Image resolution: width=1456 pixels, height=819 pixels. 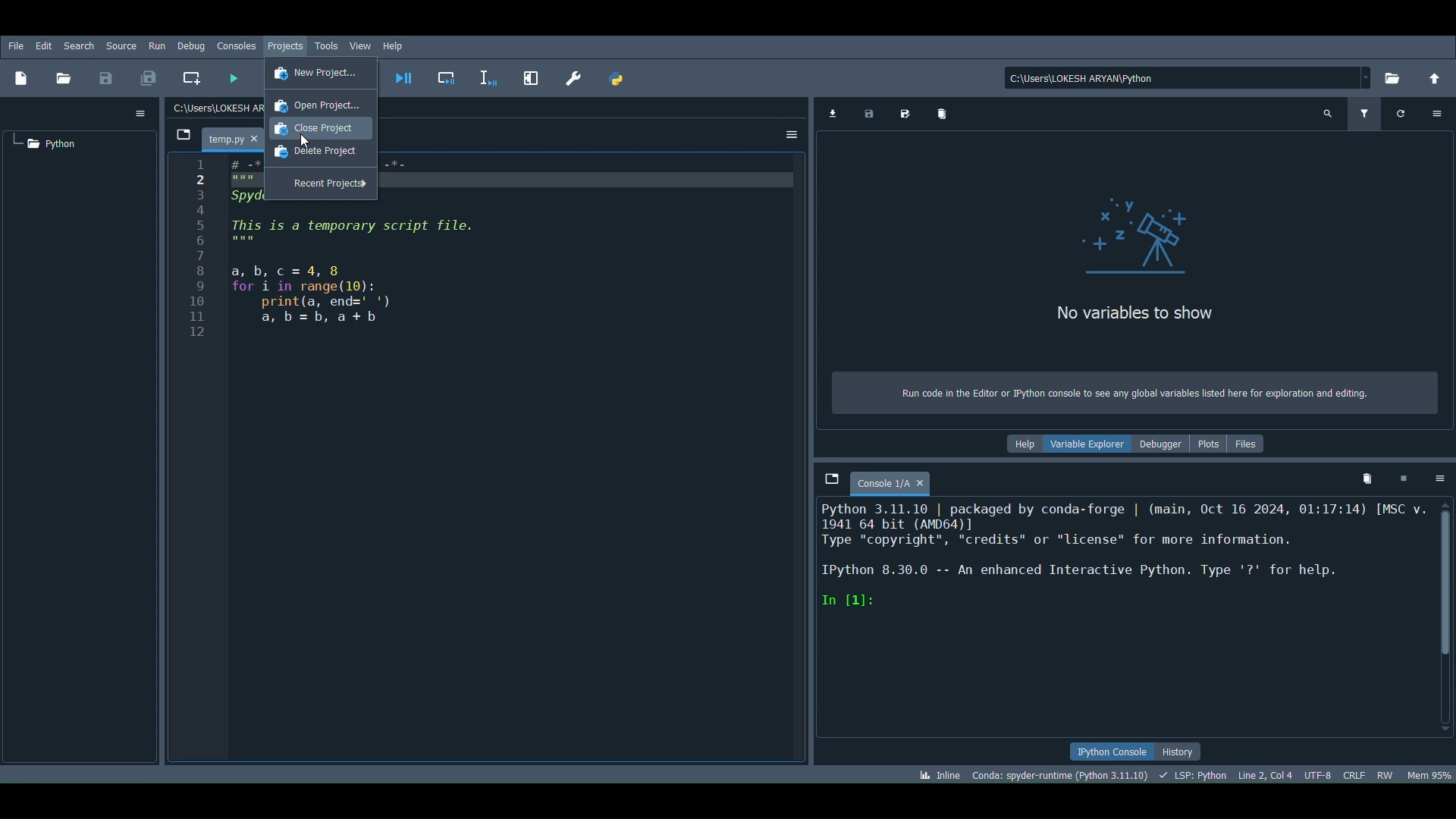 I want to click on File location, so click(x=1191, y=78).